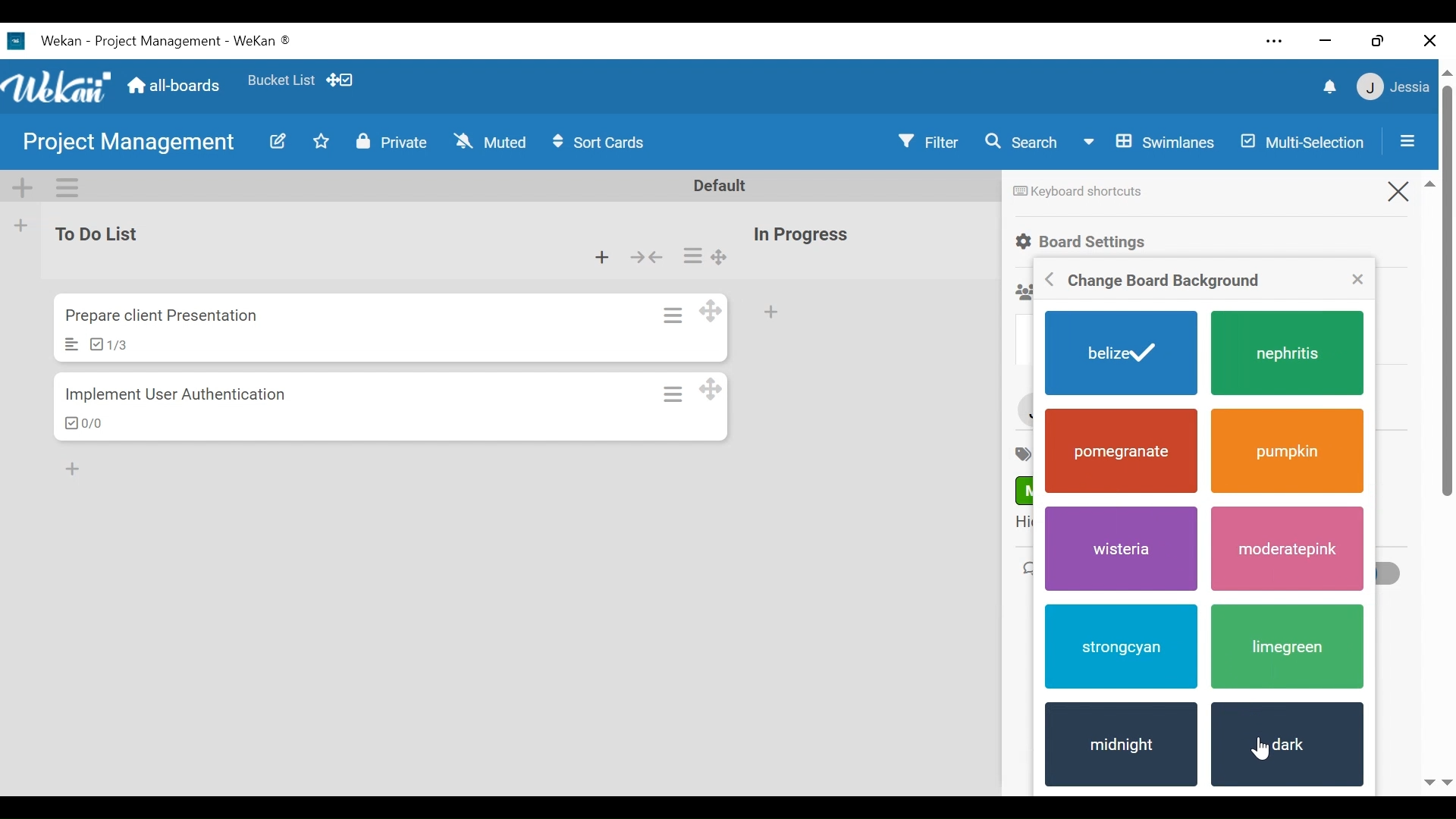 The height and width of the screenshot is (819, 1456). Describe the element at coordinates (718, 390) in the screenshot. I see `Desktop drag handles` at that location.